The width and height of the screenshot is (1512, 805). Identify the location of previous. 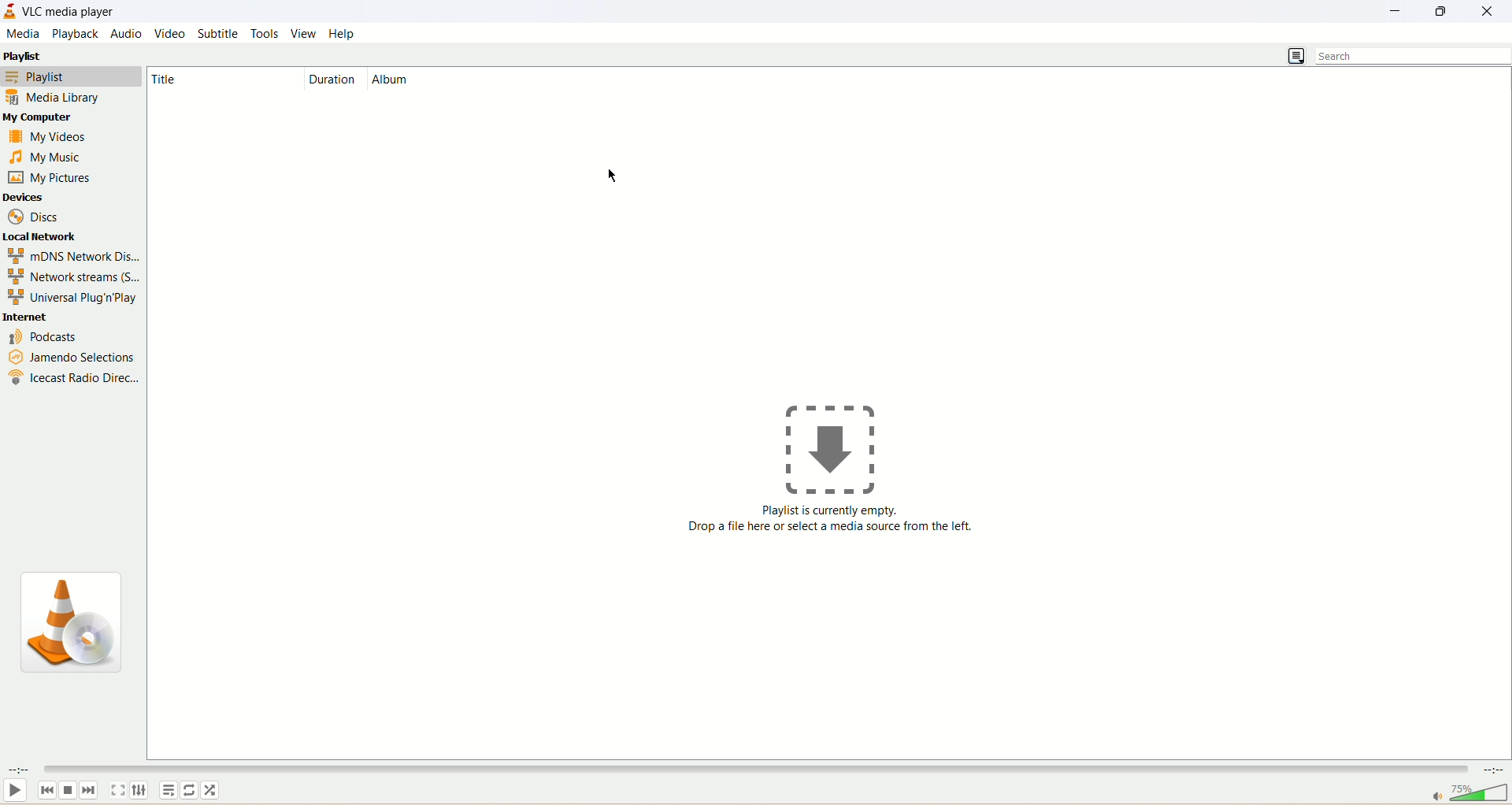
(46, 788).